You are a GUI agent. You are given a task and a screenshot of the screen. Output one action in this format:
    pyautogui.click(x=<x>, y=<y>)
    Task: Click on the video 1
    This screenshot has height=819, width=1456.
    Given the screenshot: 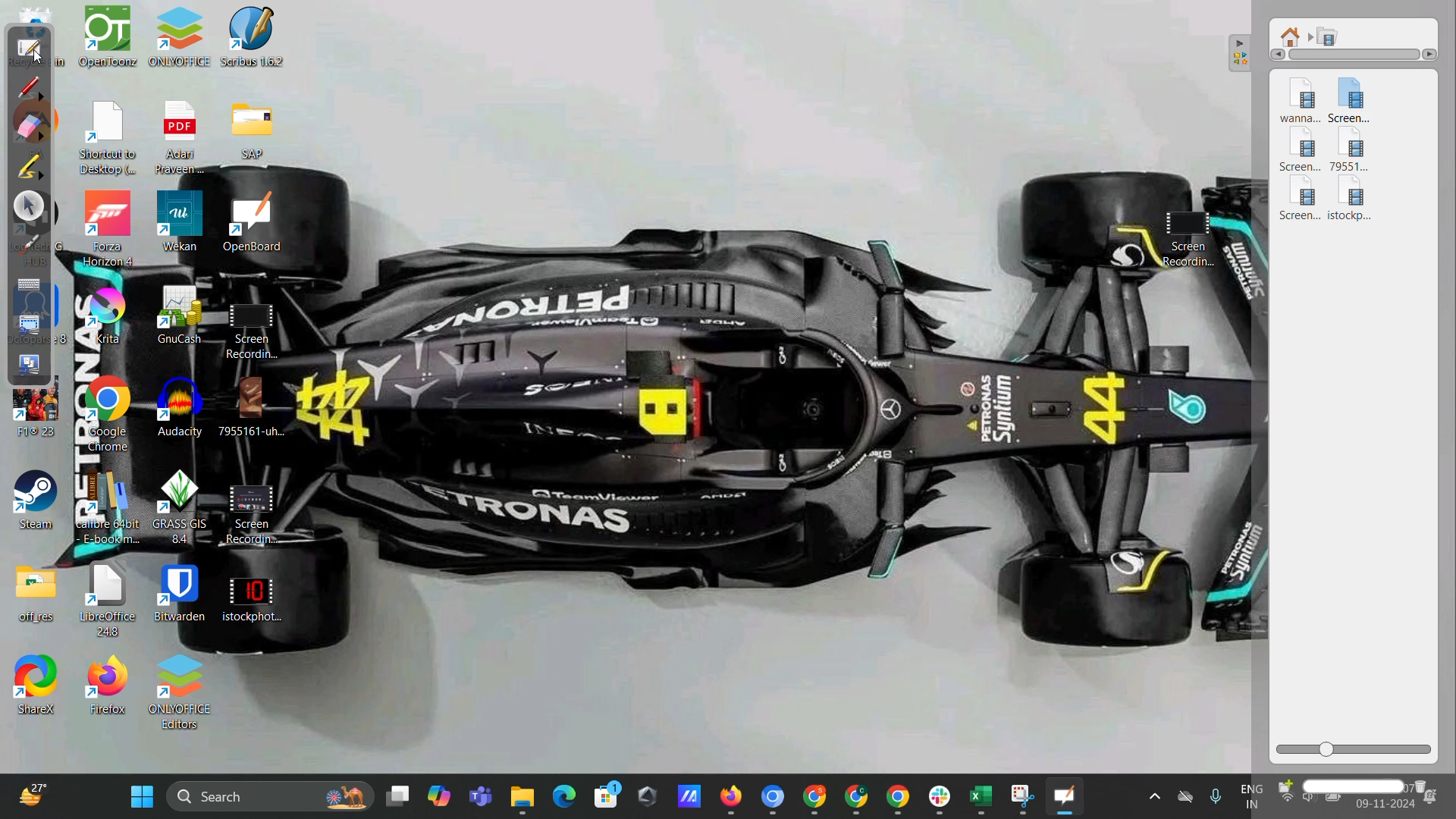 What is the action you would take?
    pyautogui.click(x=1299, y=100)
    